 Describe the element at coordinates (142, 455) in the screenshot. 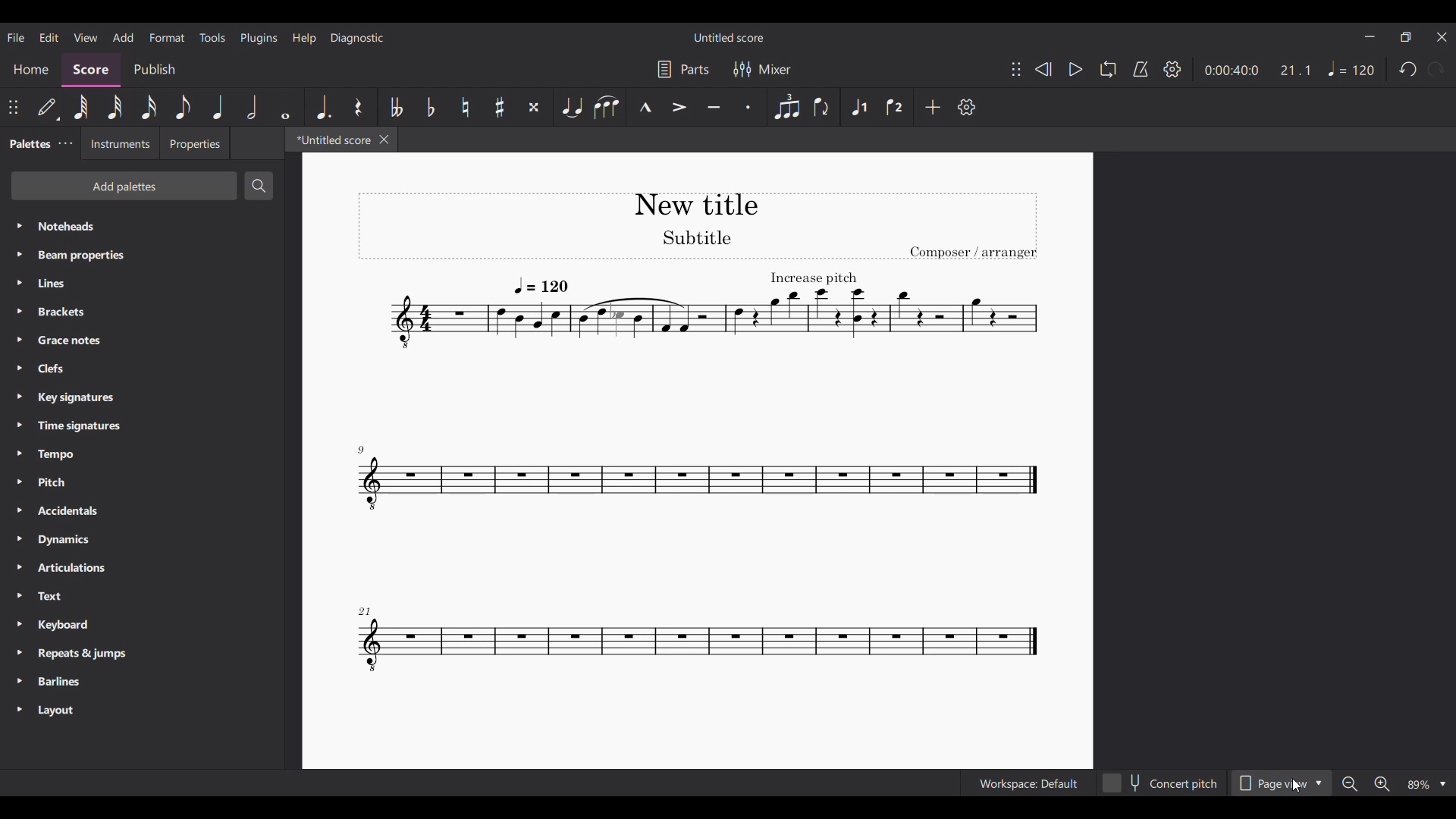

I see `Tempo` at that location.